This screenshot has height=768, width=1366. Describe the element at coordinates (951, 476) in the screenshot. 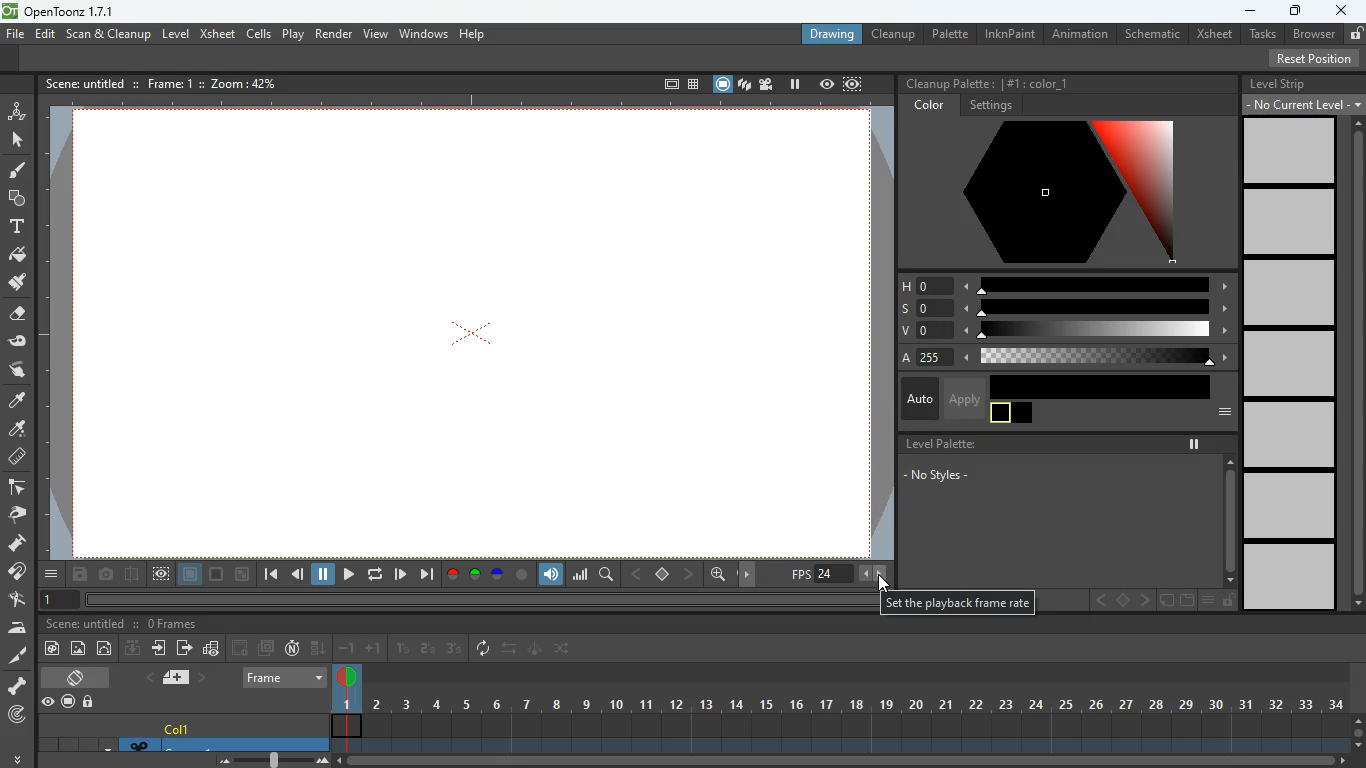

I see `no styles` at that location.